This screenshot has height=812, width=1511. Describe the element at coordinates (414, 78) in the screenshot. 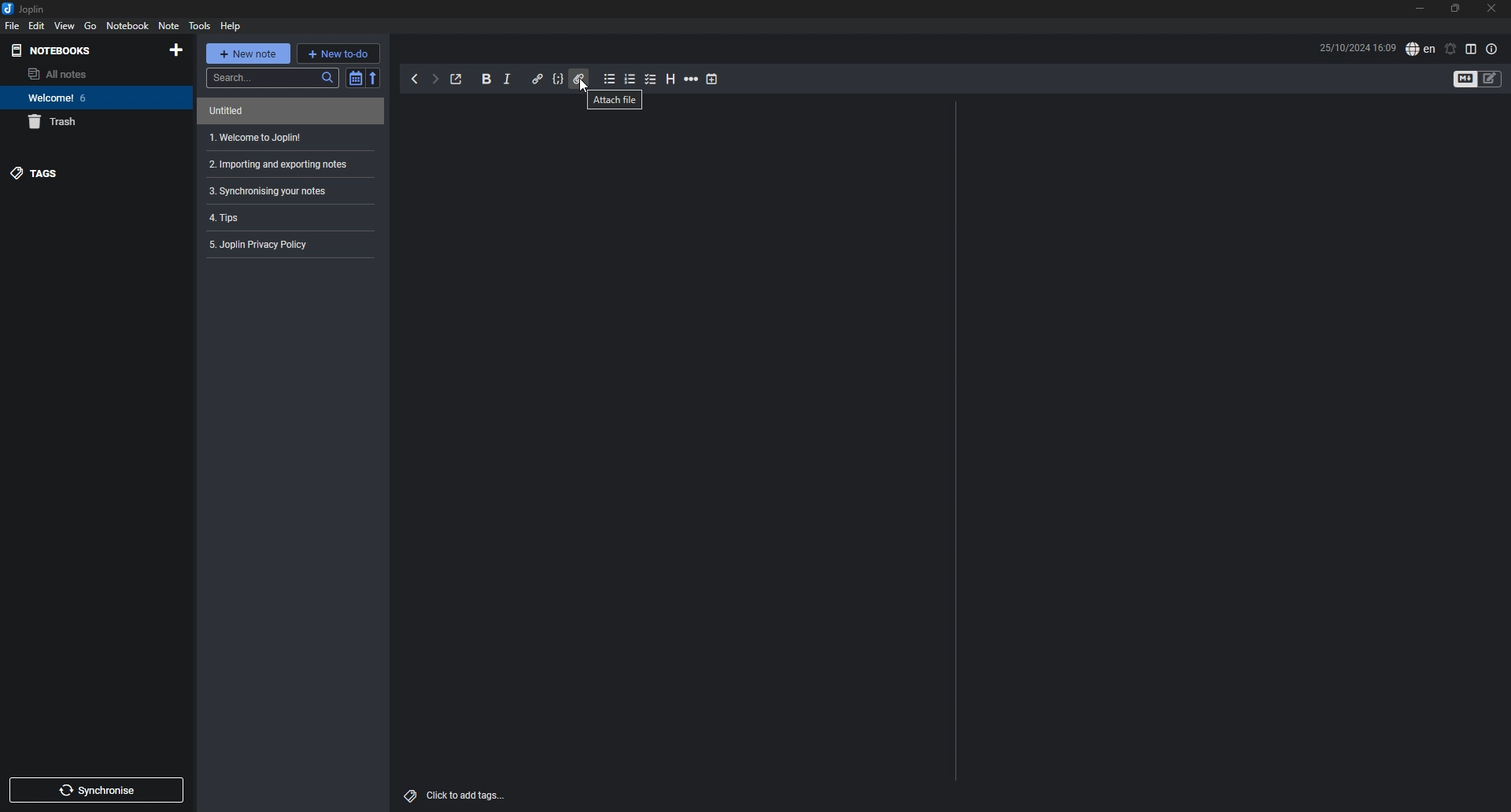

I see `backward` at that location.